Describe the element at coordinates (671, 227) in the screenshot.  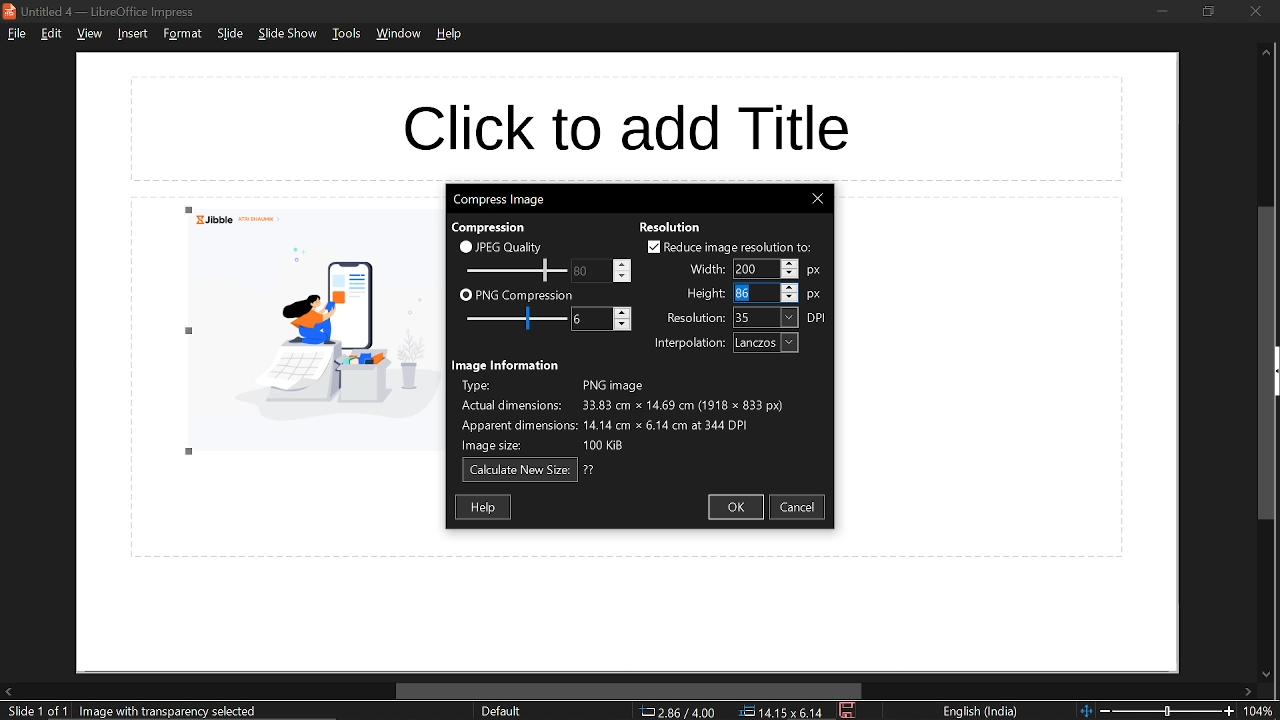
I see `resolution` at that location.